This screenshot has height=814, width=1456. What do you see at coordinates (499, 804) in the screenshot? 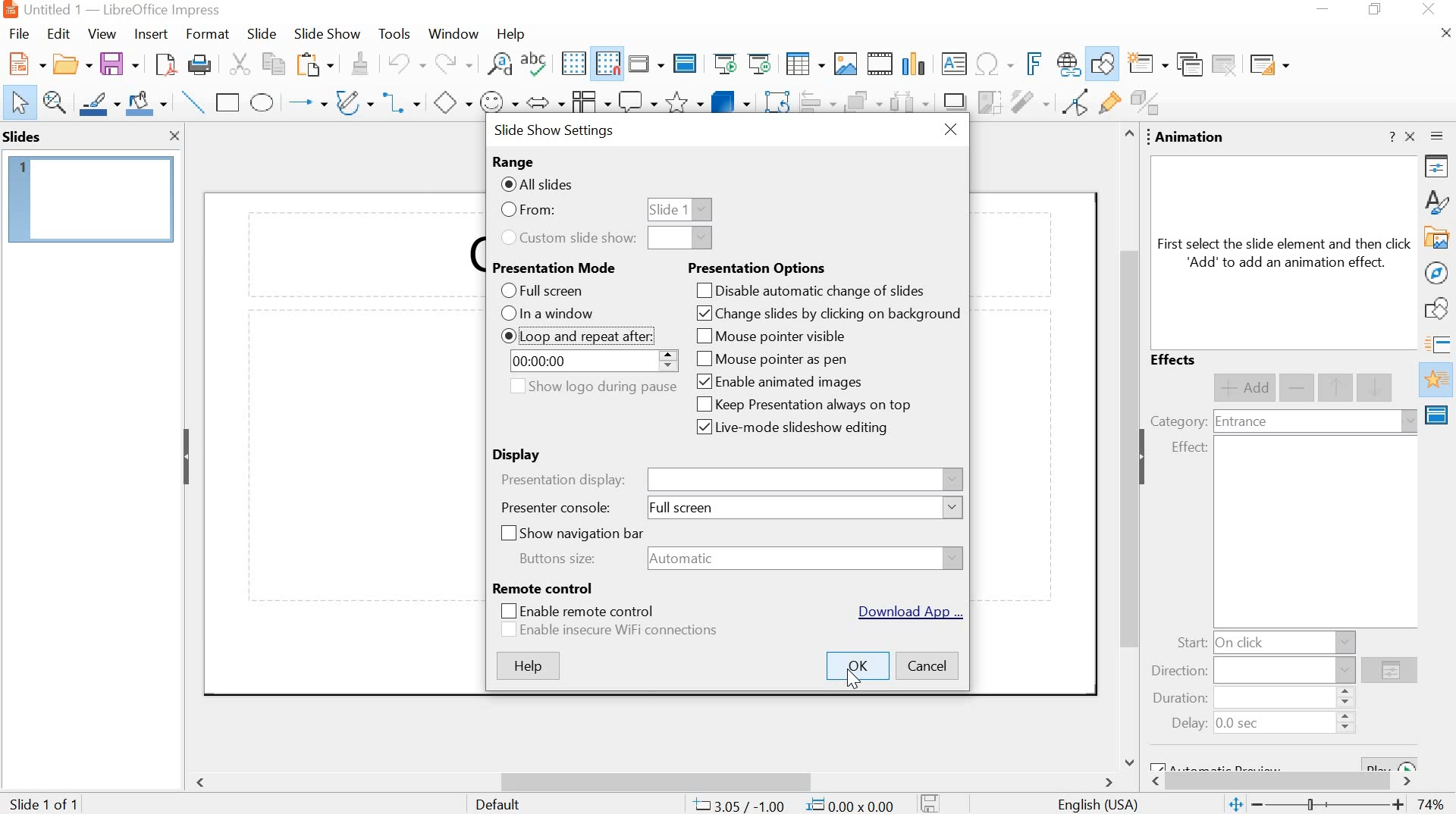
I see `default` at bounding box center [499, 804].